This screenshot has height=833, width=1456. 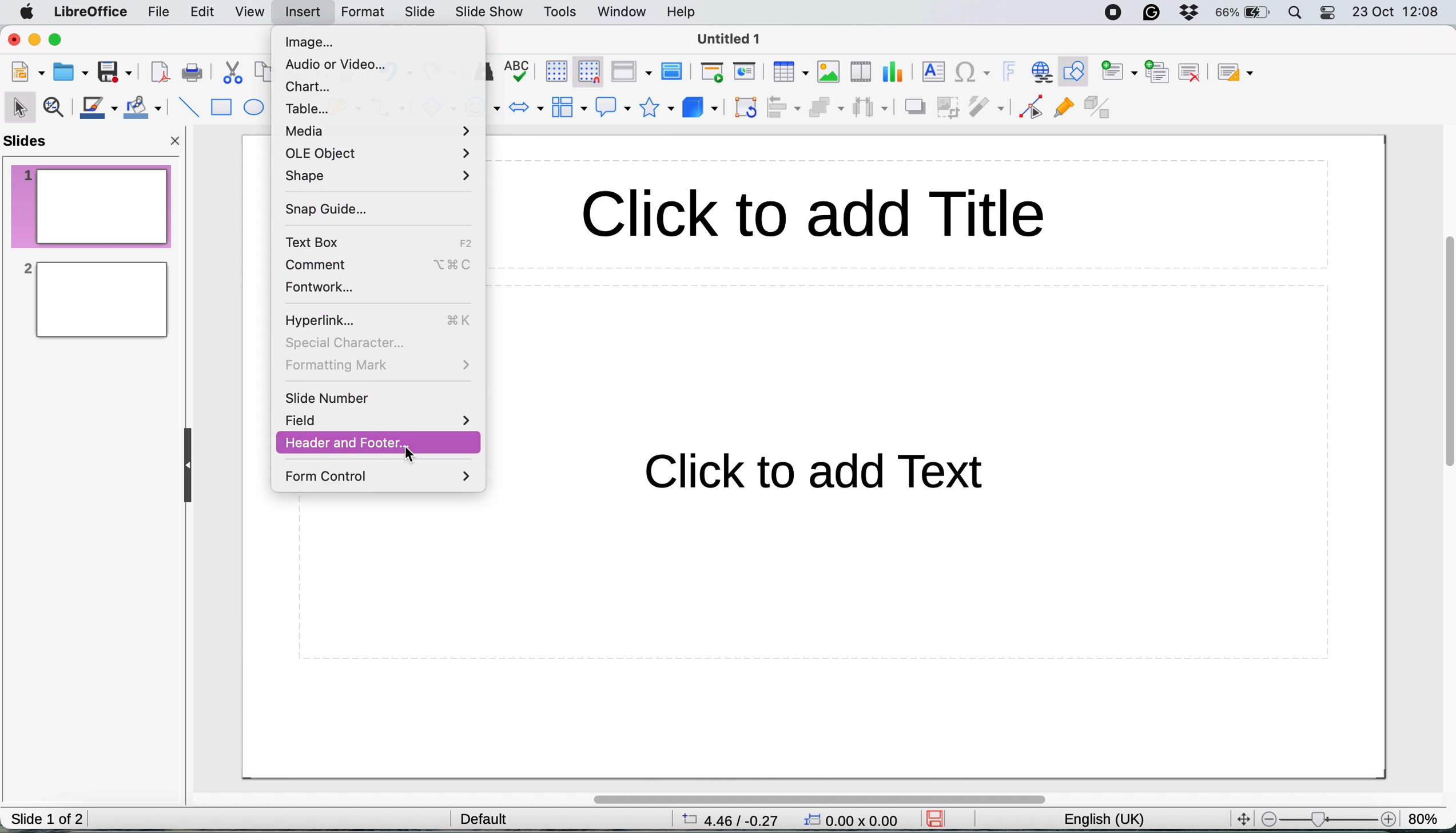 I want to click on 4.46/-0.27, so click(x=737, y=819).